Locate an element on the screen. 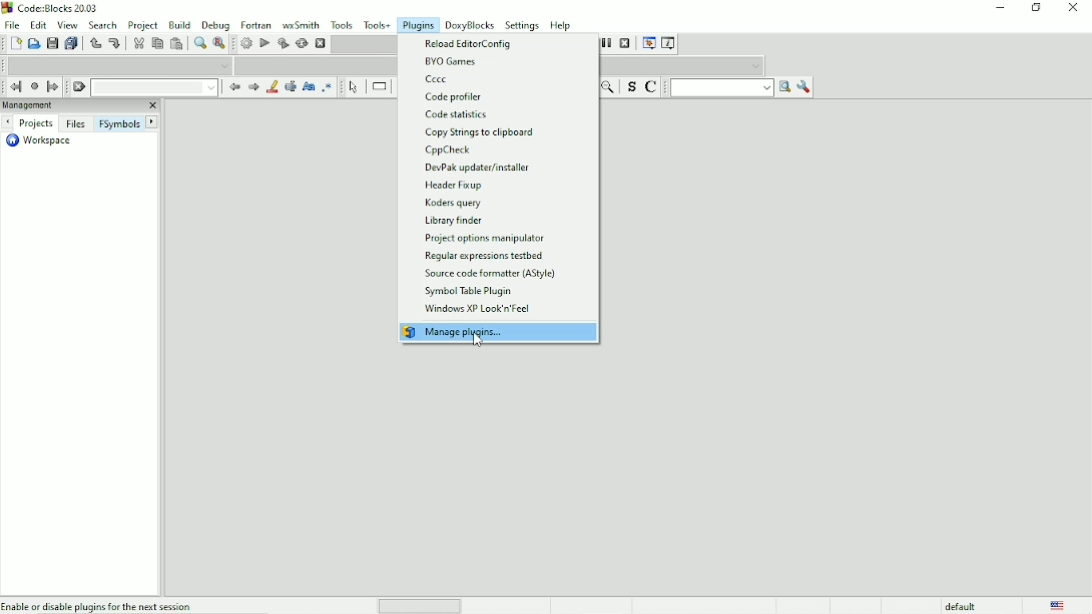  Code profiler is located at coordinates (457, 98).